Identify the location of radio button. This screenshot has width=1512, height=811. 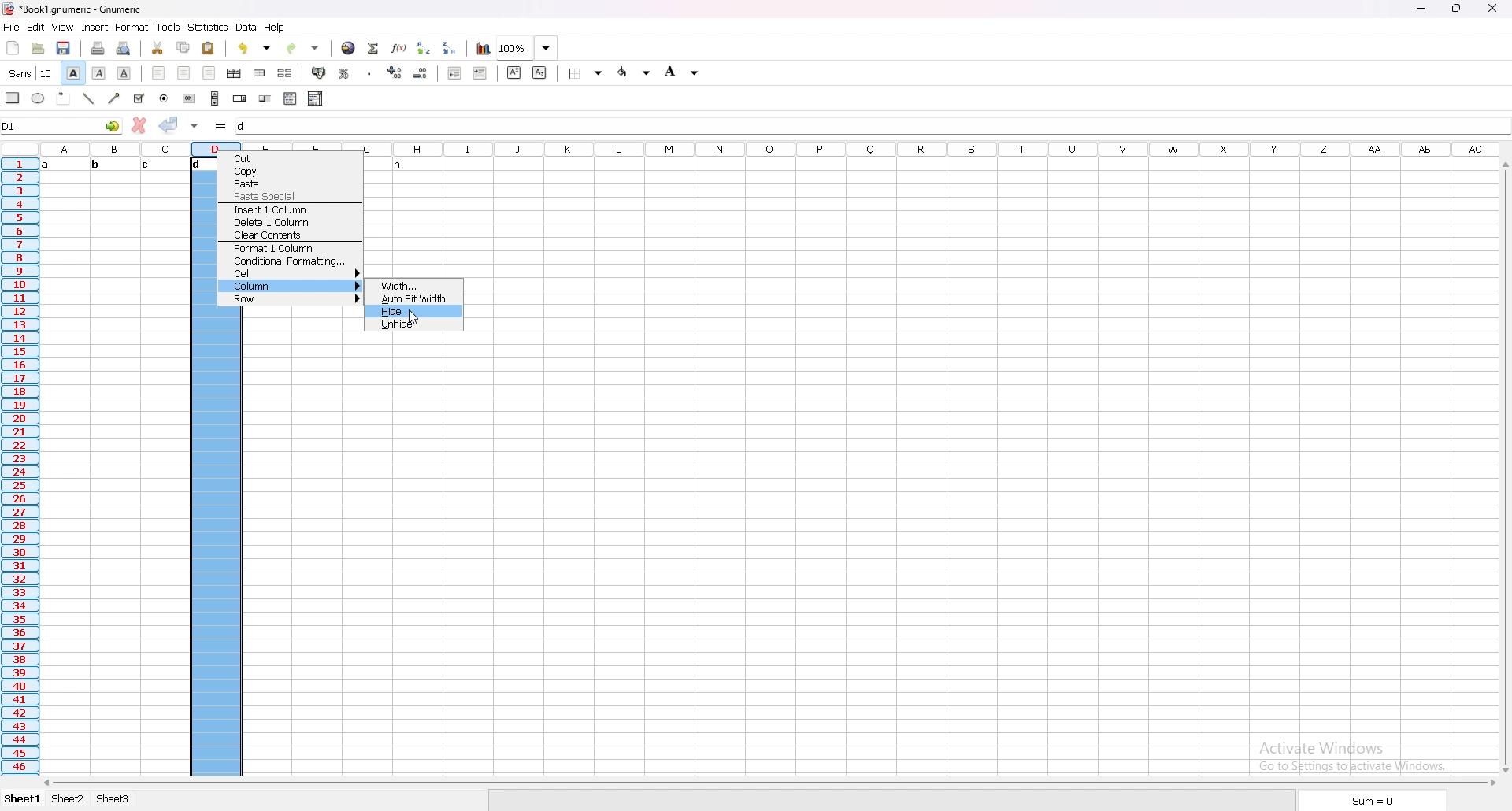
(165, 99).